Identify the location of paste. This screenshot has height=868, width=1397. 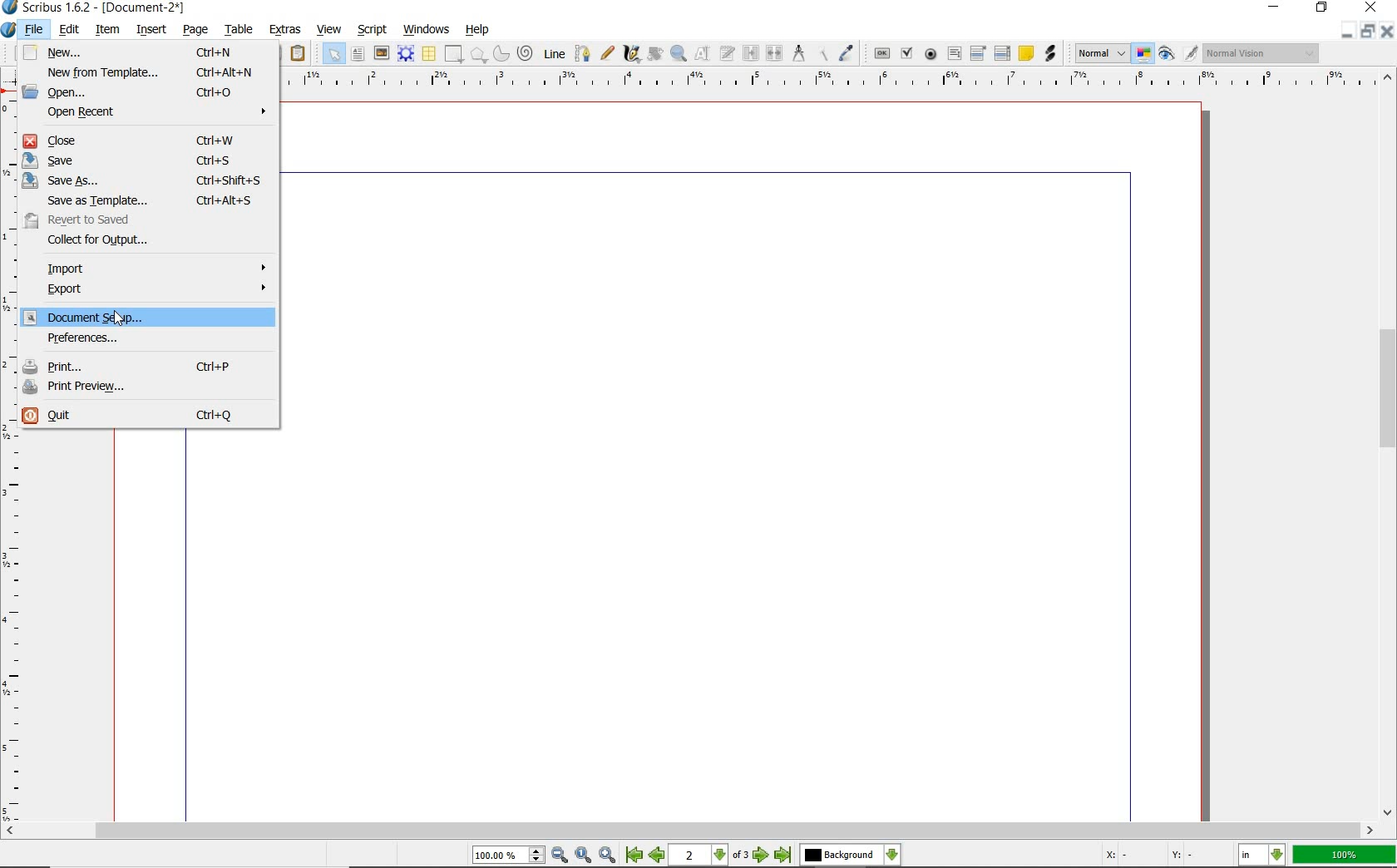
(298, 56).